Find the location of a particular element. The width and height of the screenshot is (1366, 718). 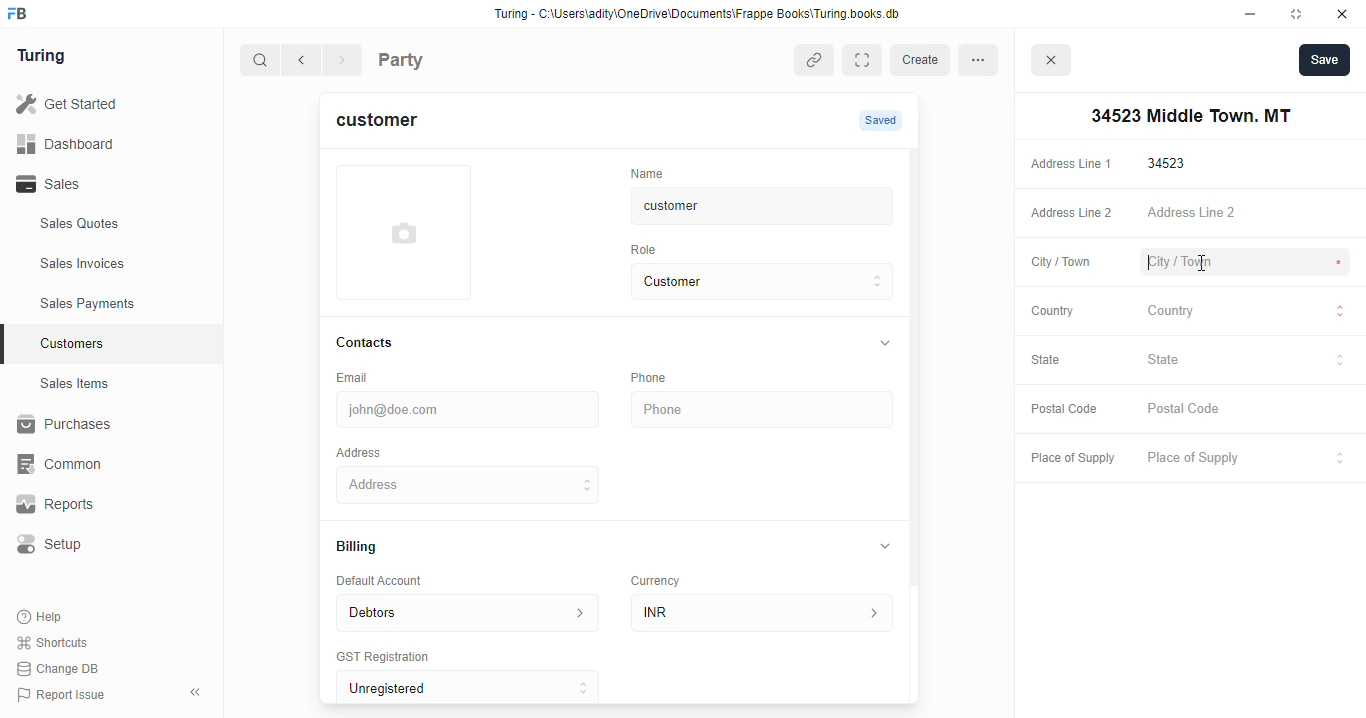

john@doe.com is located at coordinates (471, 407).